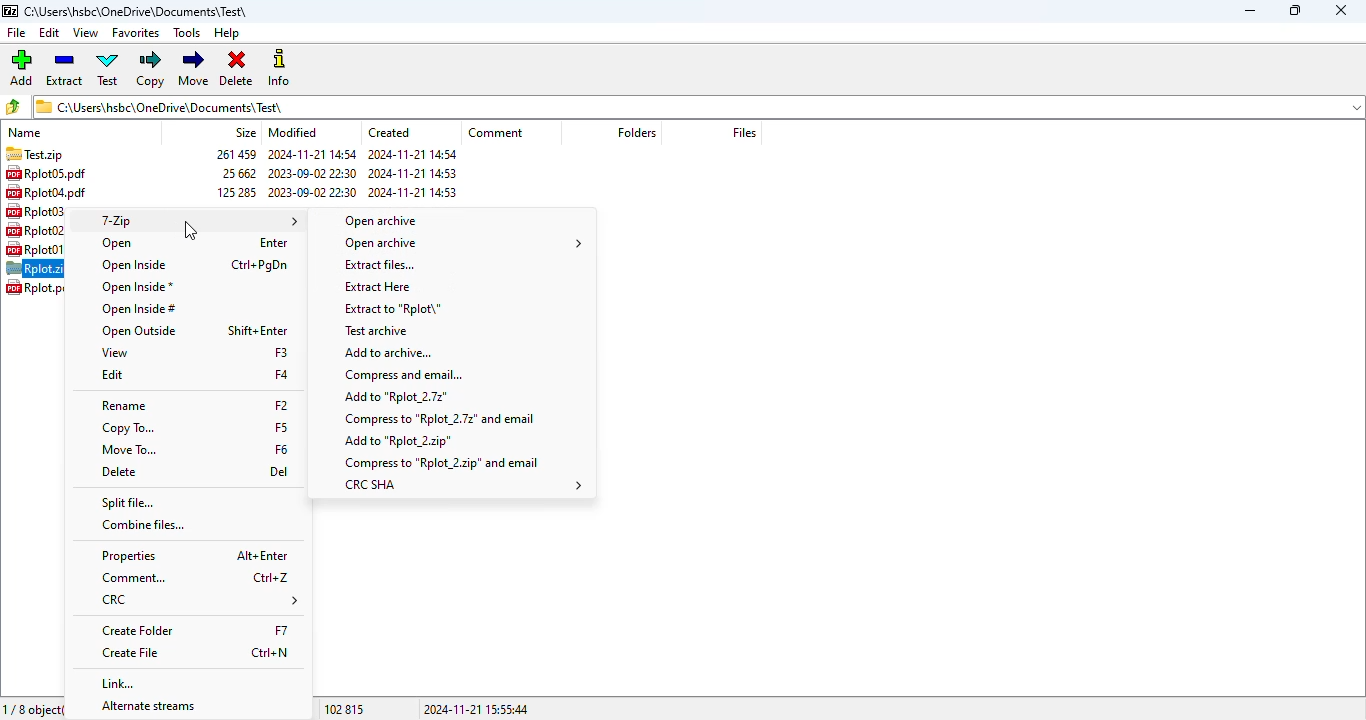 Image resolution: width=1366 pixels, height=720 pixels. Describe the element at coordinates (86, 33) in the screenshot. I see `view` at that location.